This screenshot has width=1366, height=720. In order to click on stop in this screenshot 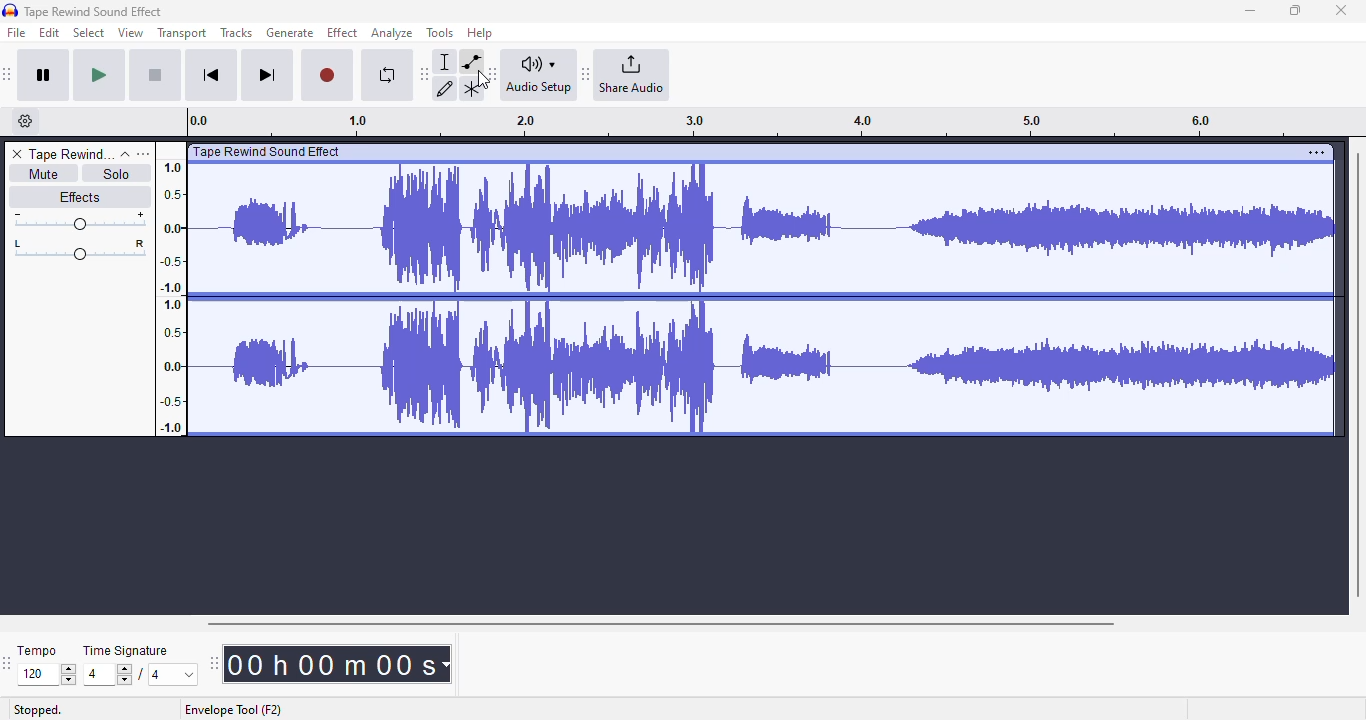, I will do `click(155, 76)`.